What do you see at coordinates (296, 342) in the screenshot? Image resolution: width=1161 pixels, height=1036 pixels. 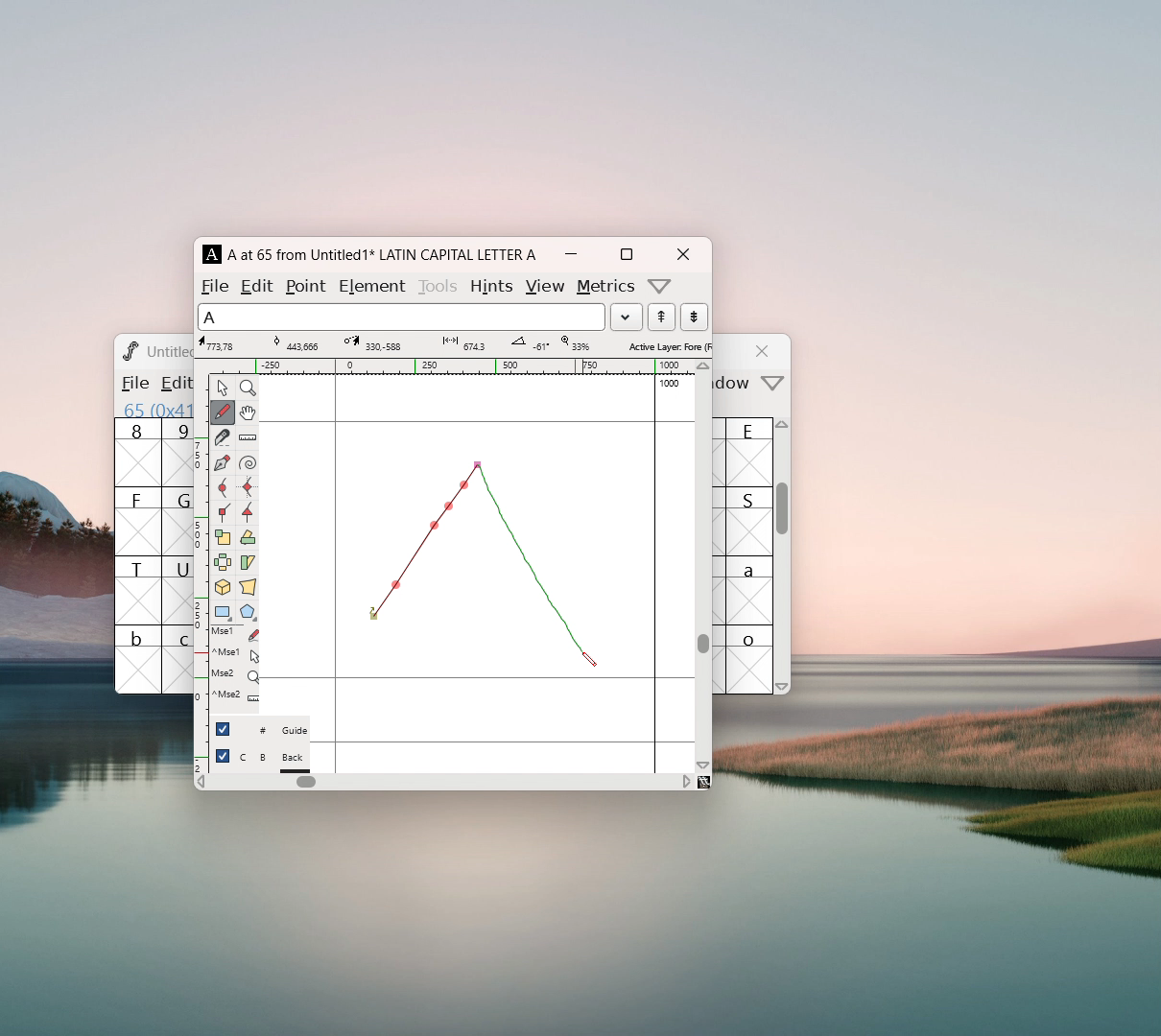 I see `tangent` at bounding box center [296, 342].